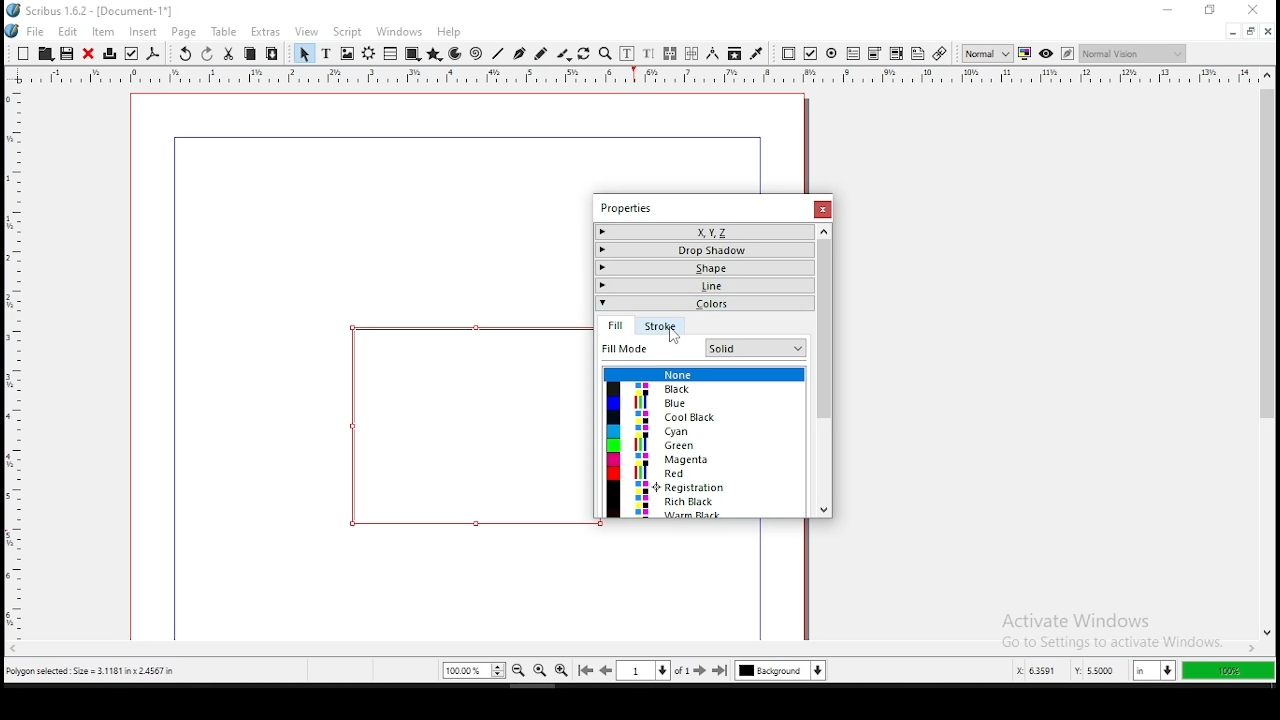 The height and width of the screenshot is (720, 1280). Describe the element at coordinates (271, 54) in the screenshot. I see `paste` at that location.